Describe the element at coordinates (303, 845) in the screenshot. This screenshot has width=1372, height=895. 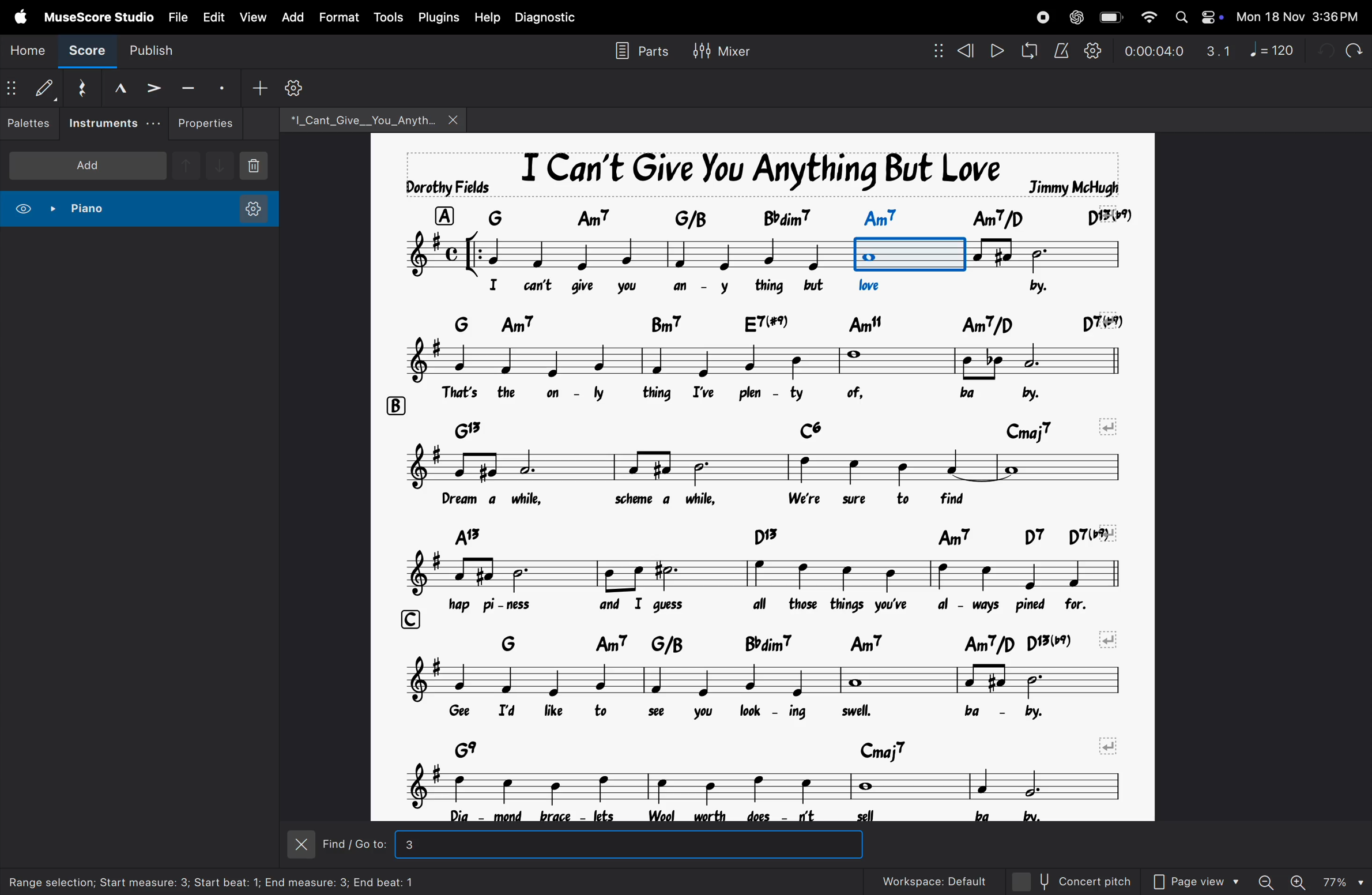
I see `close` at that location.